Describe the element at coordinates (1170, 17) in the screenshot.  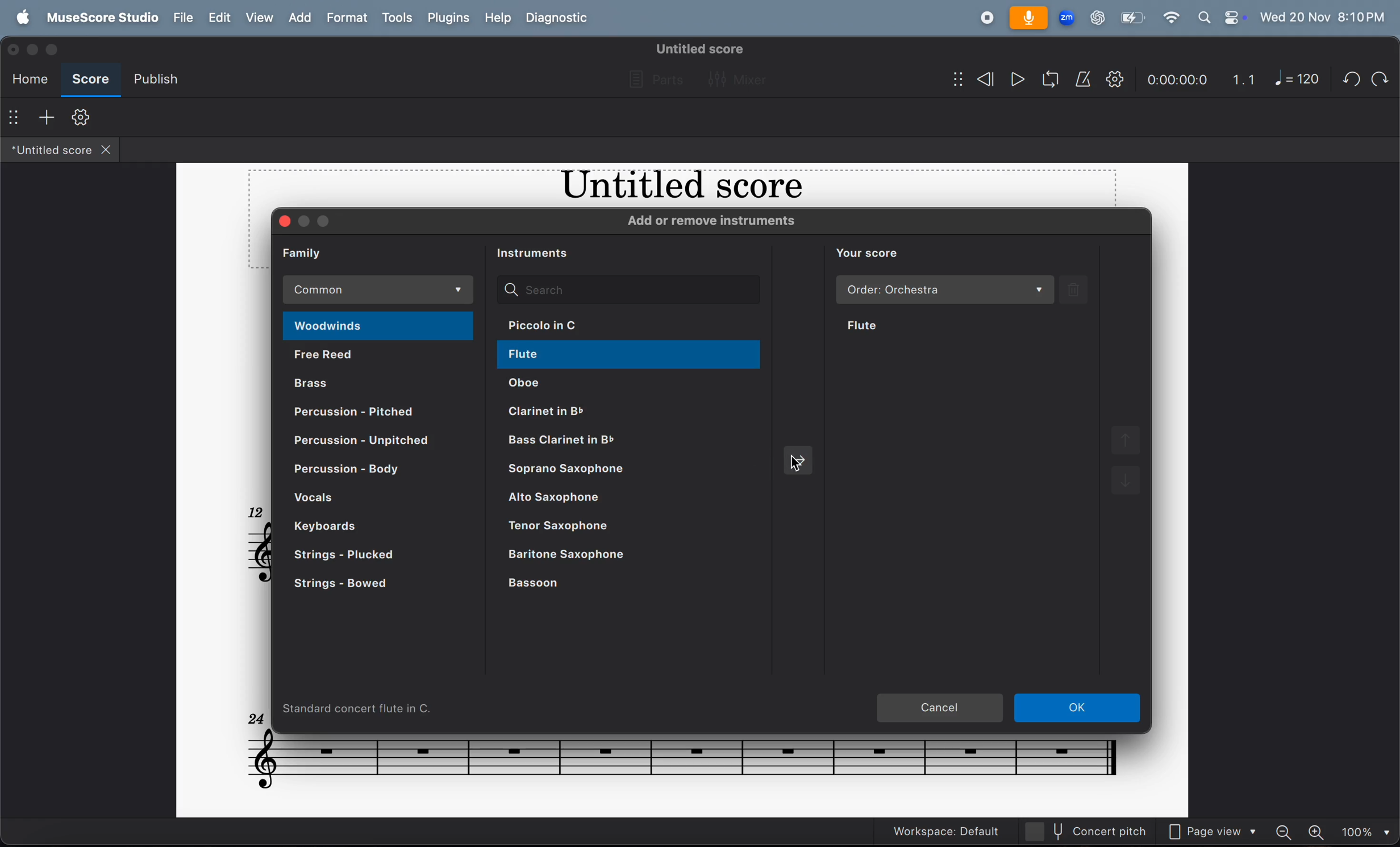
I see `wifi` at that location.